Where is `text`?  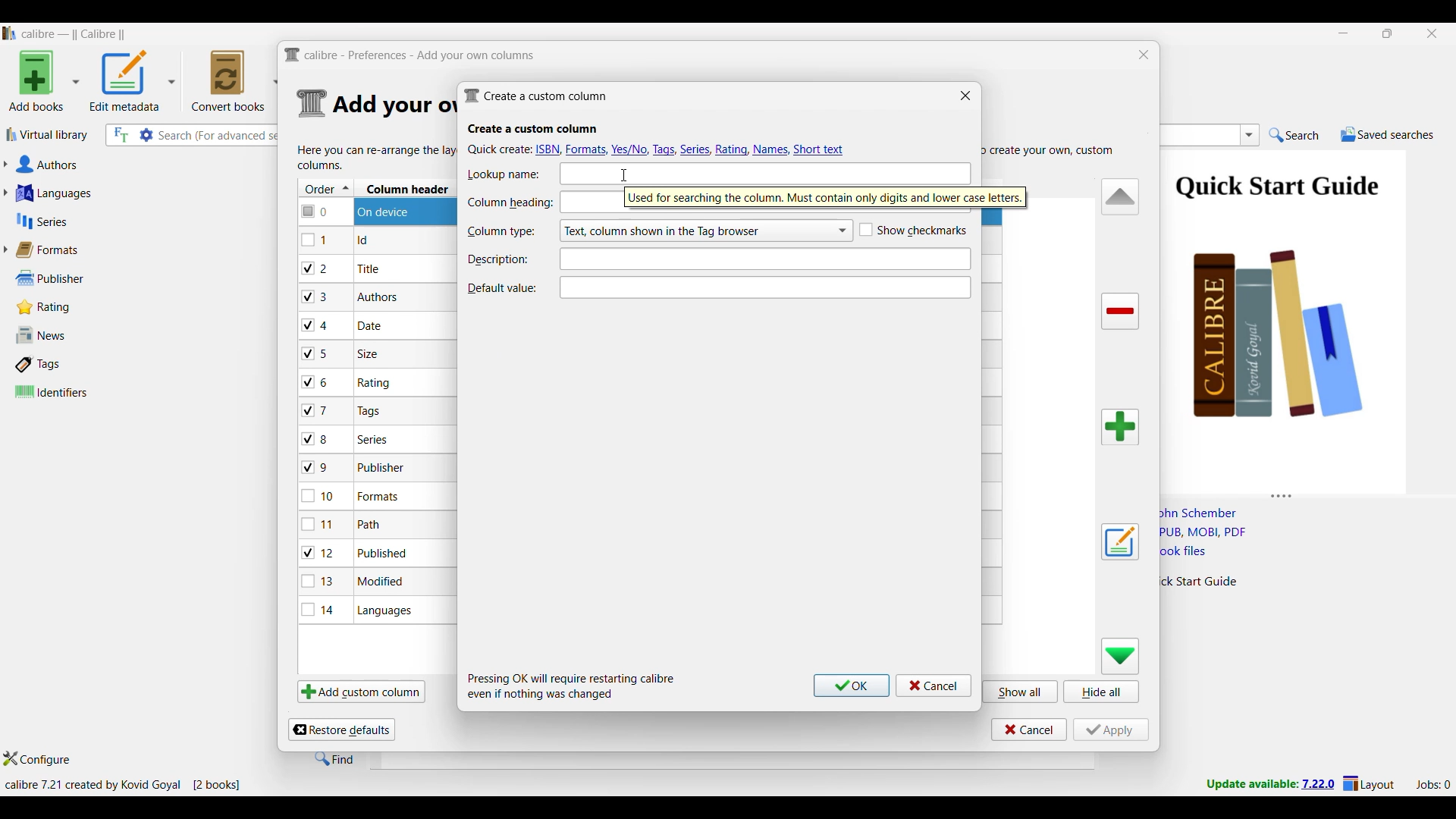
text is located at coordinates (768, 171).